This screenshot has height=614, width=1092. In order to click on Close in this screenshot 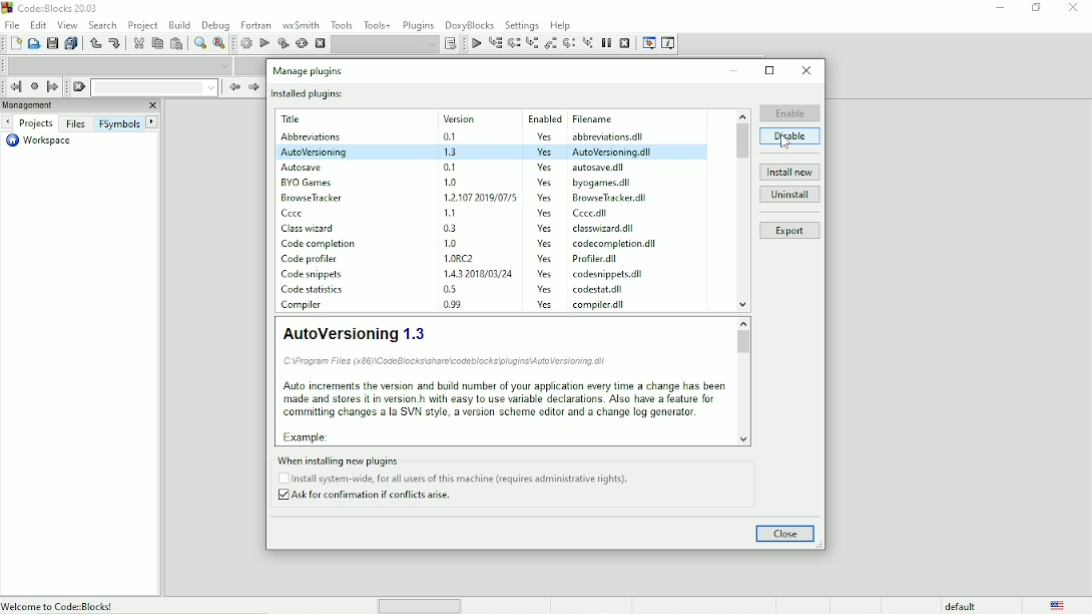, I will do `click(151, 106)`.